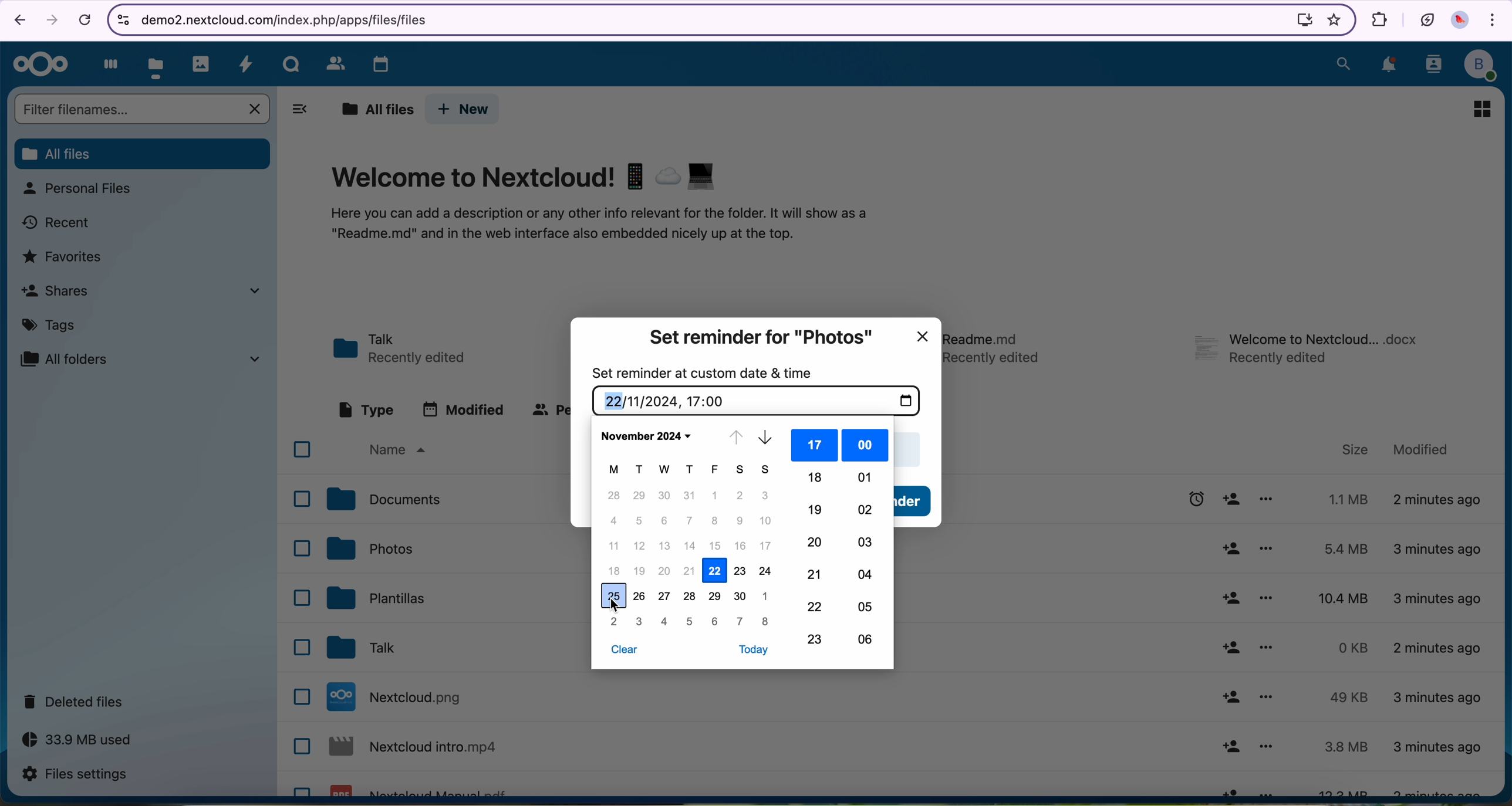  What do you see at coordinates (1377, 18) in the screenshot?
I see `extensions` at bounding box center [1377, 18].